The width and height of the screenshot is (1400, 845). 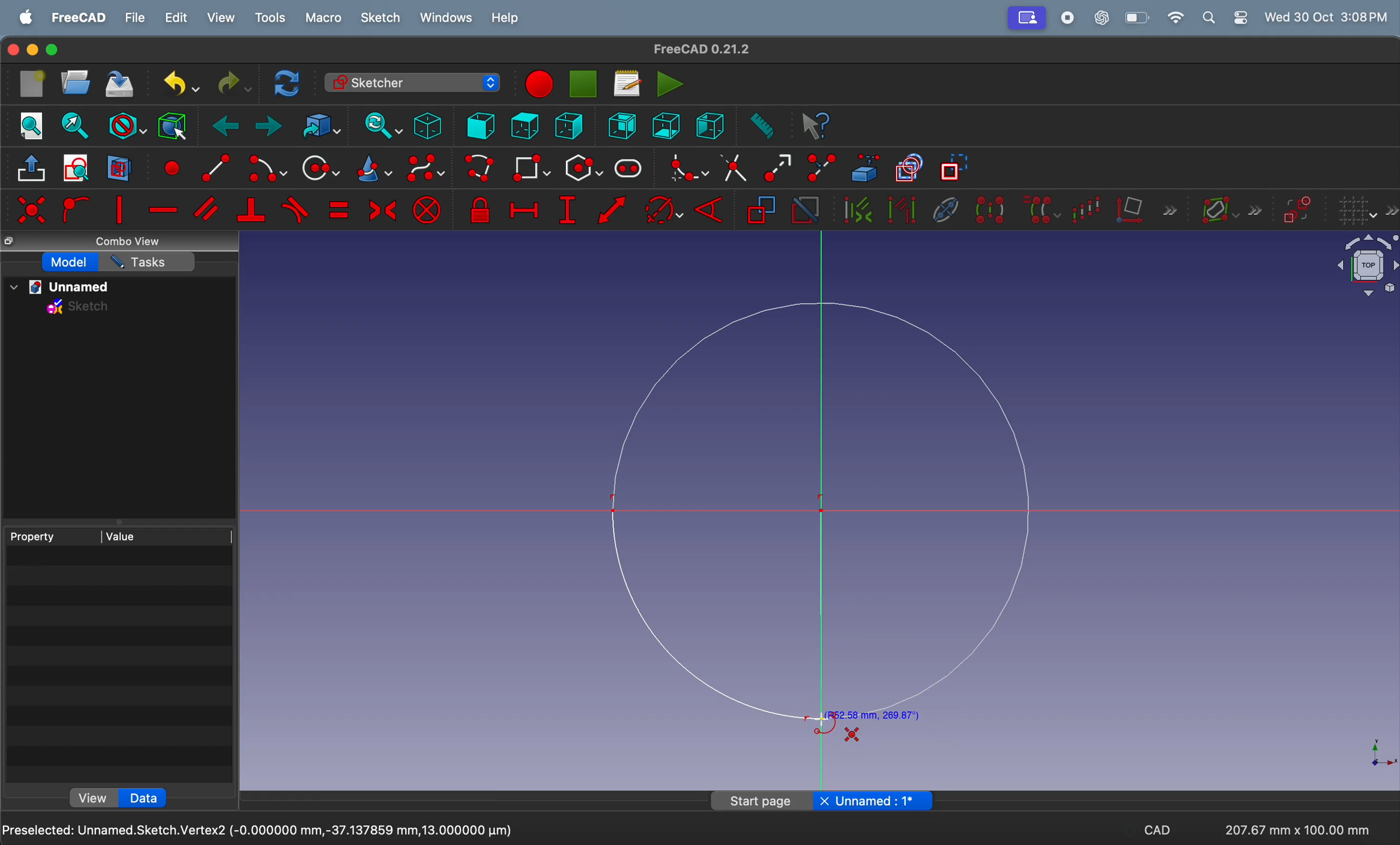 What do you see at coordinates (147, 262) in the screenshot?
I see `Tasks` at bounding box center [147, 262].